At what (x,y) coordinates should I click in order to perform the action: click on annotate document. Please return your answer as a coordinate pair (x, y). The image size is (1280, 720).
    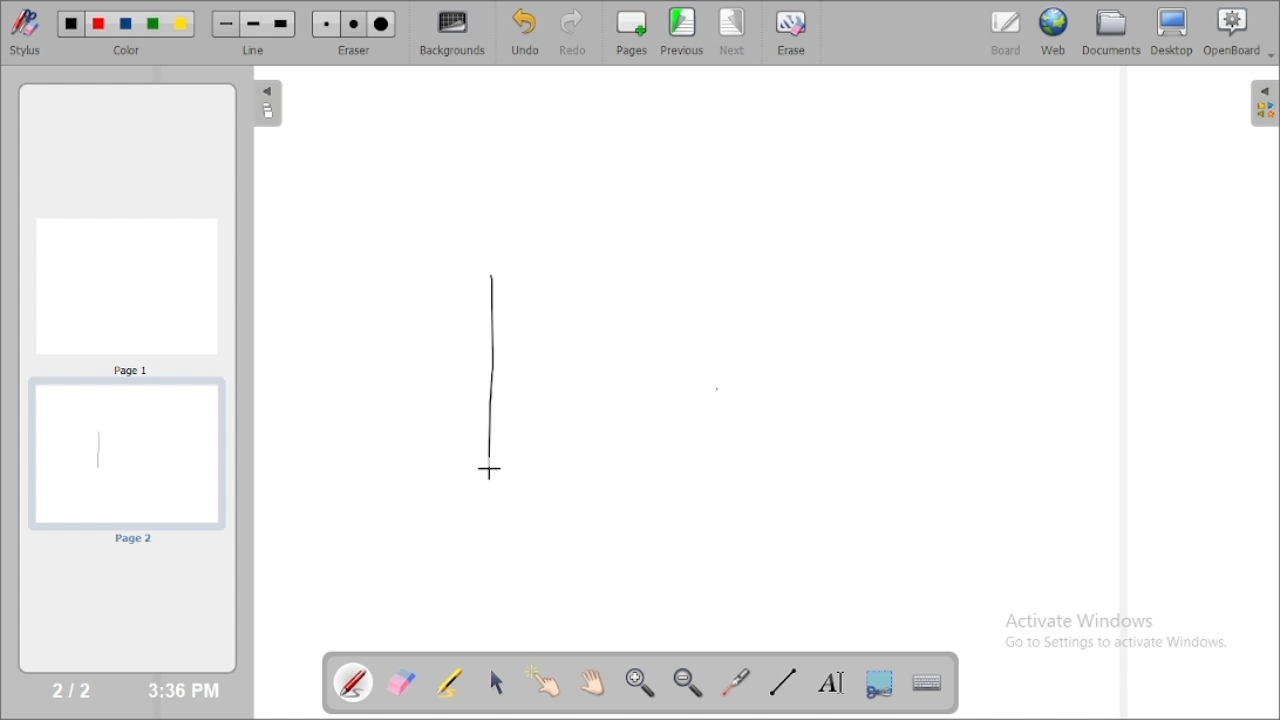
    Looking at the image, I should click on (354, 683).